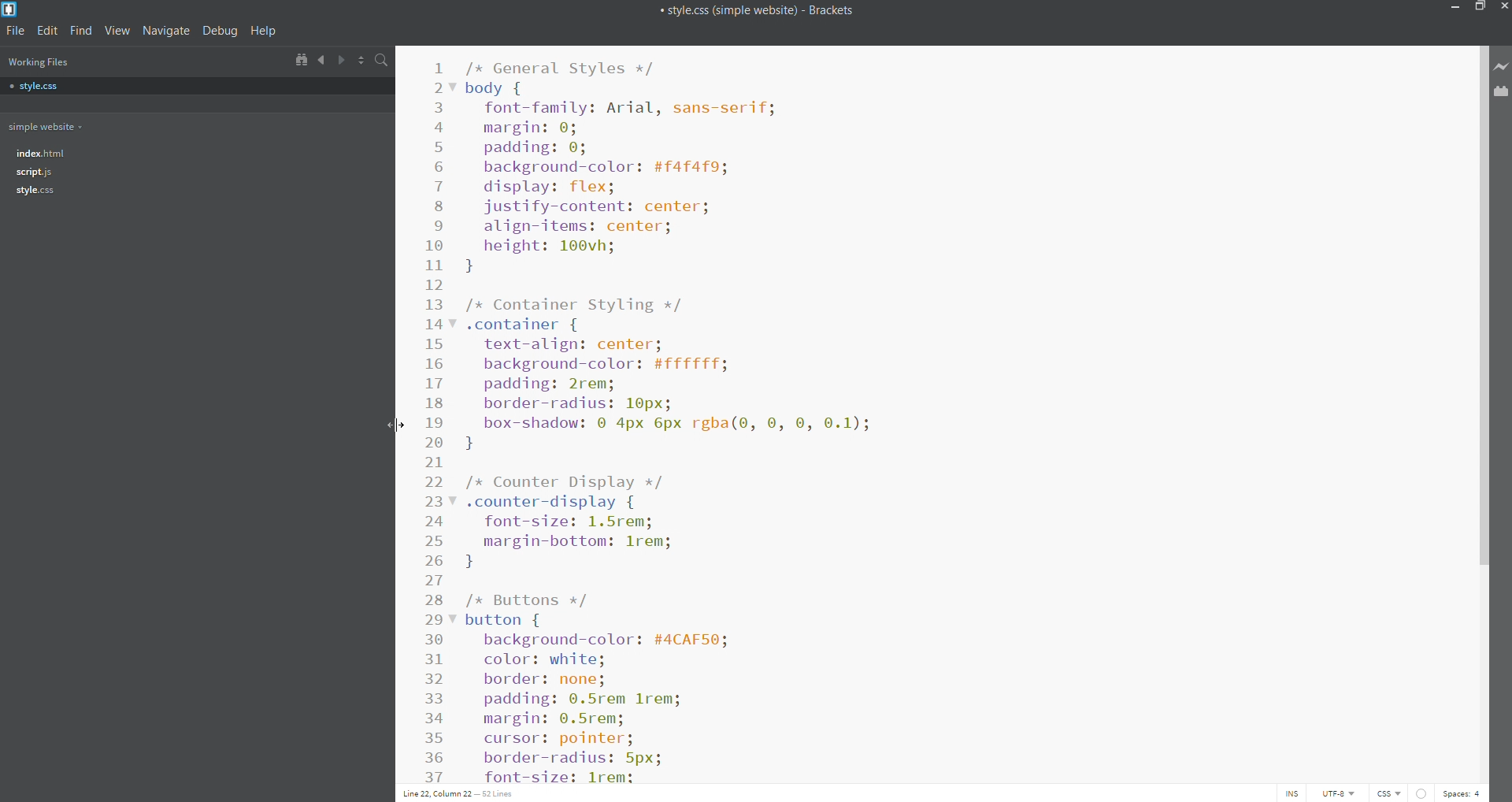 This screenshot has width=1512, height=802. Describe the element at coordinates (323, 58) in the screenshot. I see `navigate backwards` at that location.